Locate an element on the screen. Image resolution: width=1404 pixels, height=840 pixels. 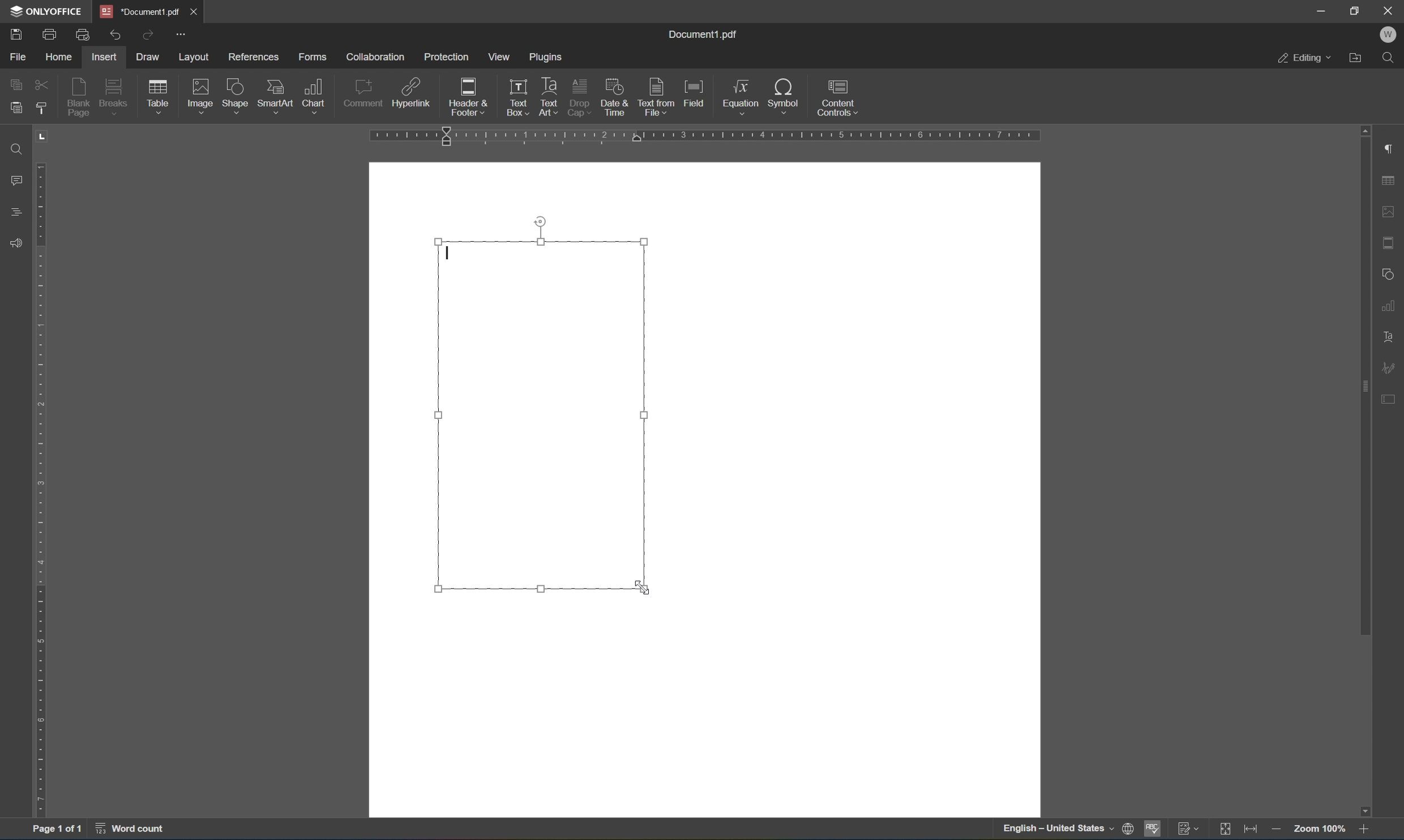
Comments is located at coordinates (19, 181).